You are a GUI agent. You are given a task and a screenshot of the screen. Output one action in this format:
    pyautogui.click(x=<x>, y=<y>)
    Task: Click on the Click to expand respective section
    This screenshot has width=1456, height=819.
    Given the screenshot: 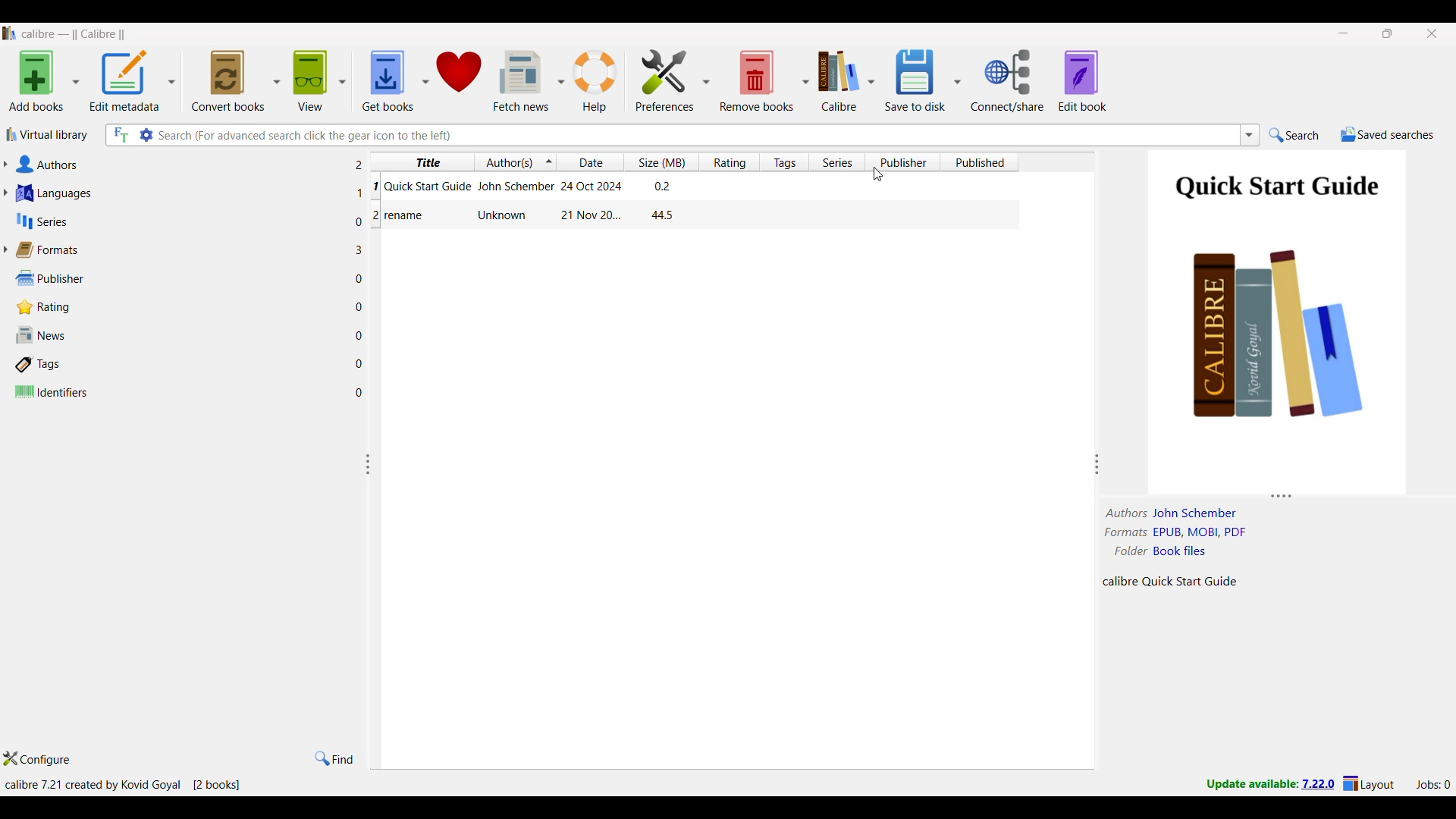 What is the action you would take?
    pyautogui.click(x=5, y=208)
    